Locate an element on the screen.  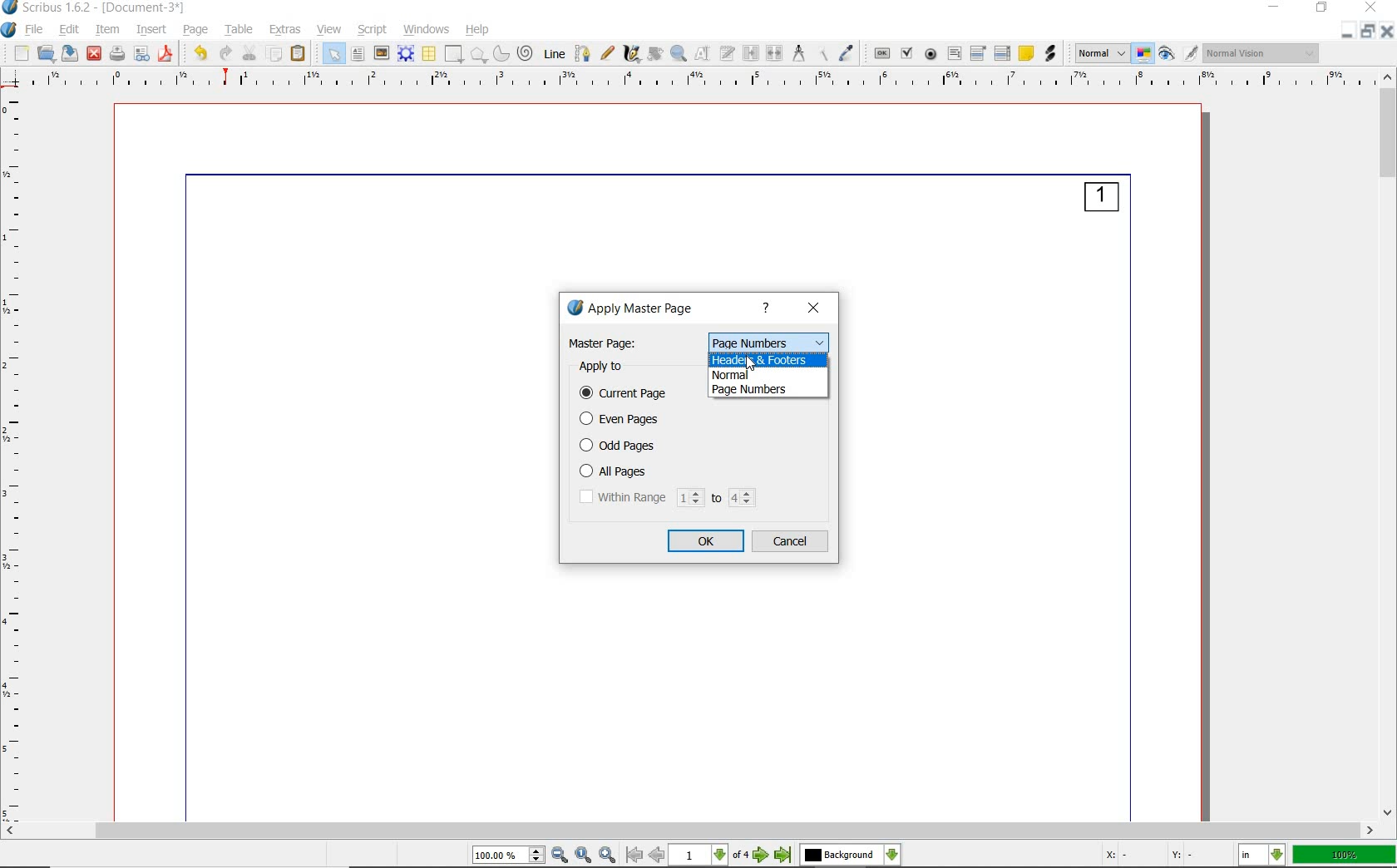
zoom in or zoom out is located at coordinates (678, 53).